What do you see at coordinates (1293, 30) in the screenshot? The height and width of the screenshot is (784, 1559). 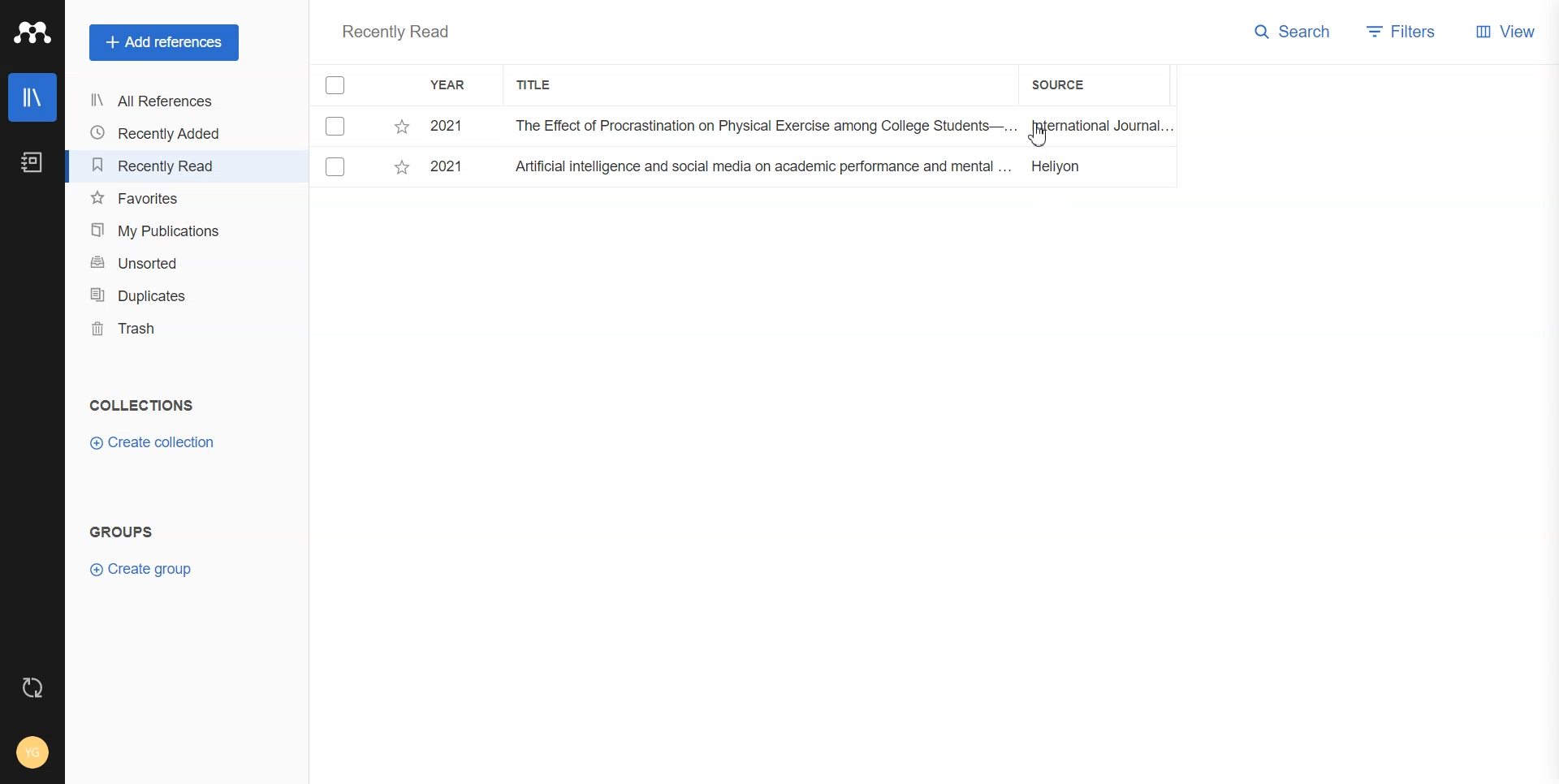 I see `Search` at bounding box center [1293, 30].